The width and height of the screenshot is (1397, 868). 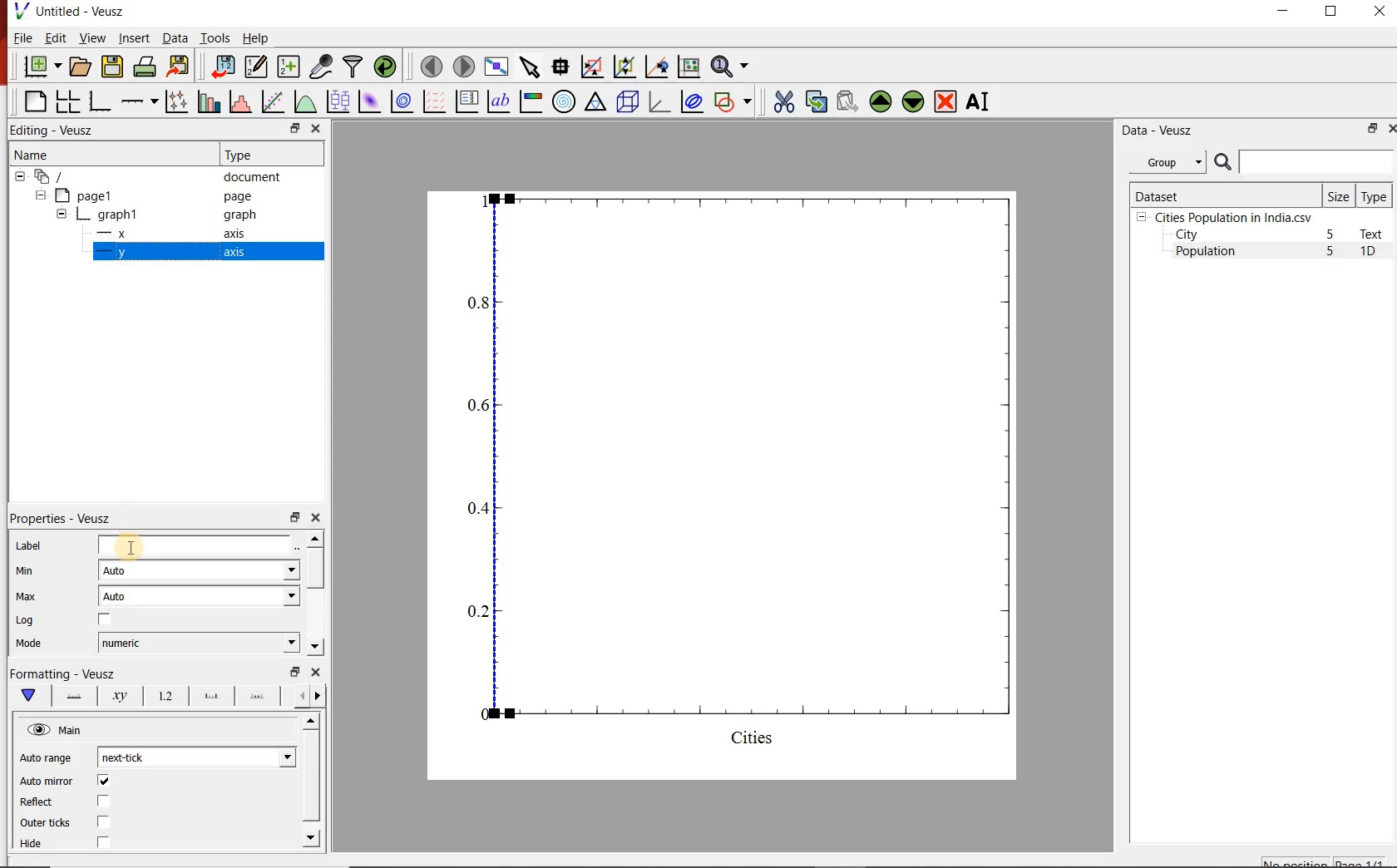 I want to click on check/uncheck, so click(x=104, y=801).